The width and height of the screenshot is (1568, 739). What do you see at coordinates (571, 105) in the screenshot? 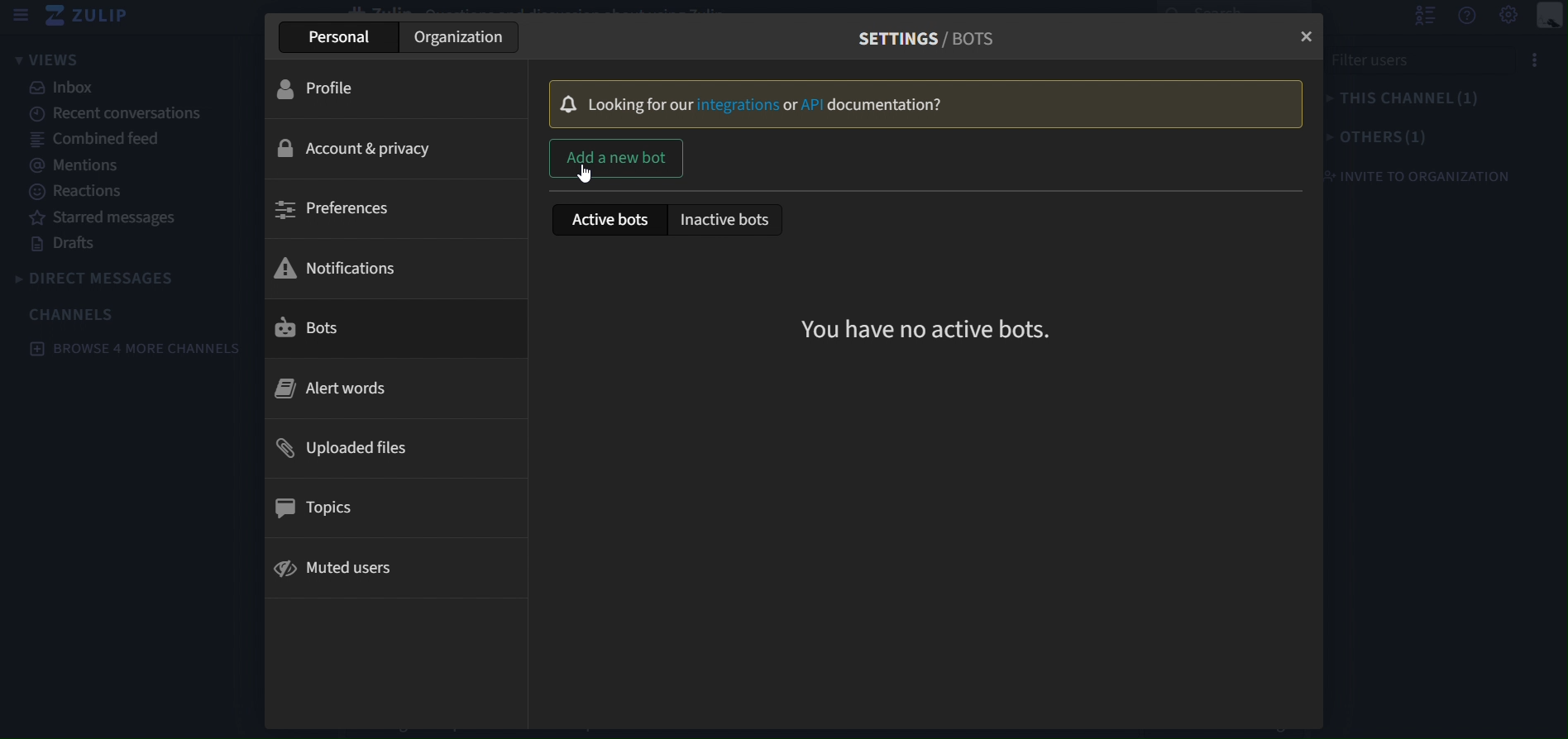
I see `bell icon` at bounding box center [571, 105].